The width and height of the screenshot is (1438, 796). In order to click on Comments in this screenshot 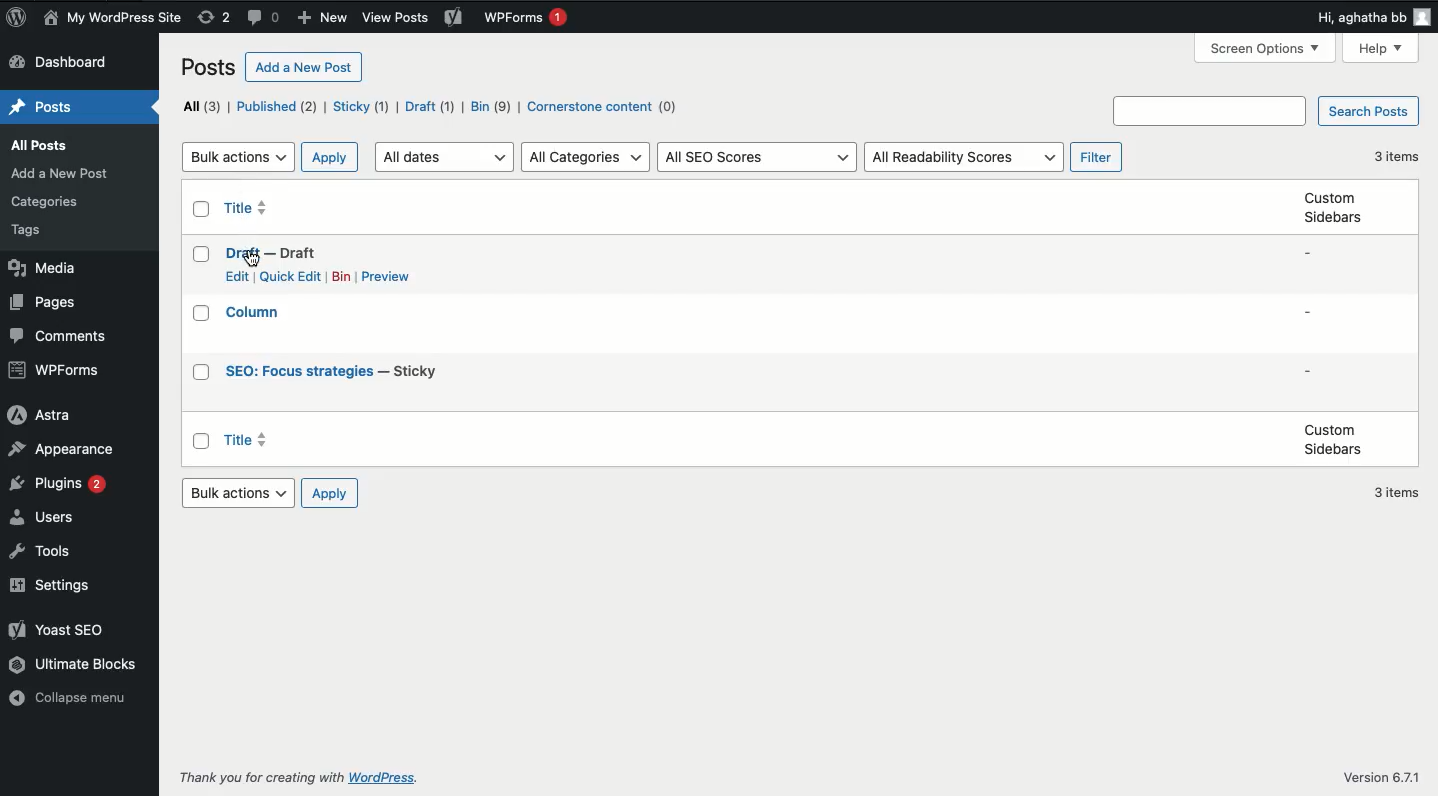, I will do `click(58, 335)`.